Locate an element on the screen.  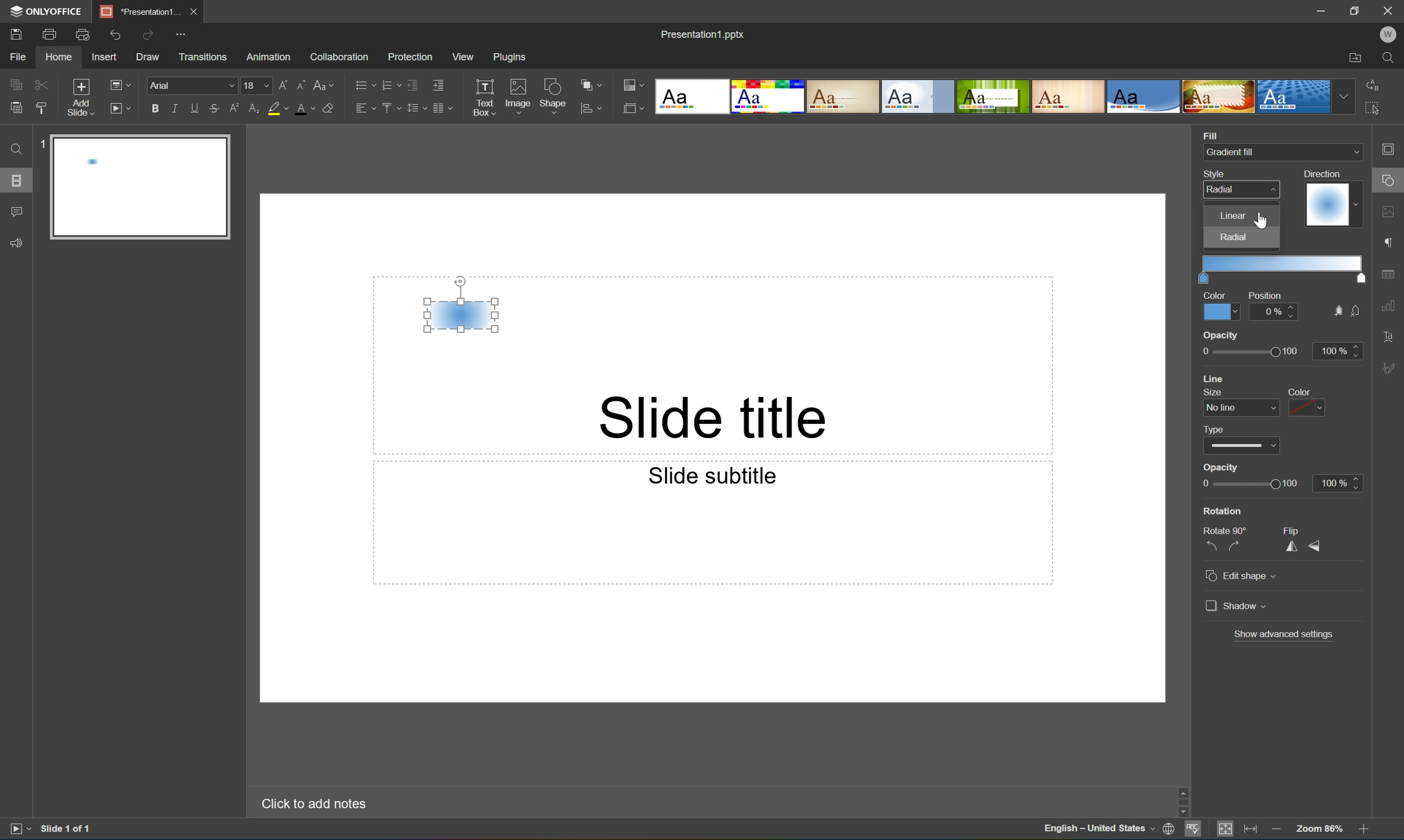
type is located at coordinates (1218, 428).